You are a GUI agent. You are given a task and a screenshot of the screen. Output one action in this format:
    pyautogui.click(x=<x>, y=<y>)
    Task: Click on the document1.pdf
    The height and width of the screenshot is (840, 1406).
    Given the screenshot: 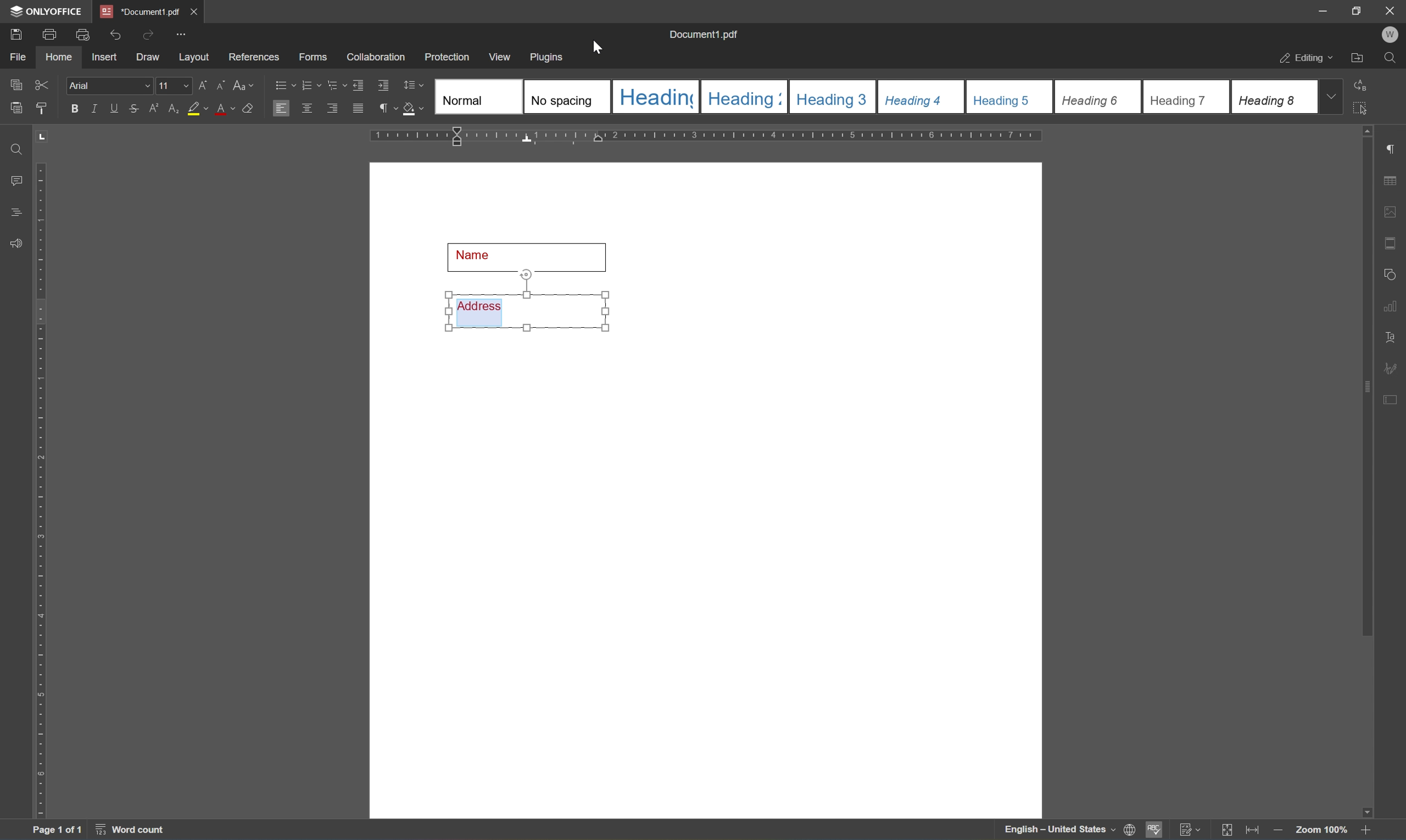 What is the action you would take?
    pyautogui.click(x=704, y=33)
    